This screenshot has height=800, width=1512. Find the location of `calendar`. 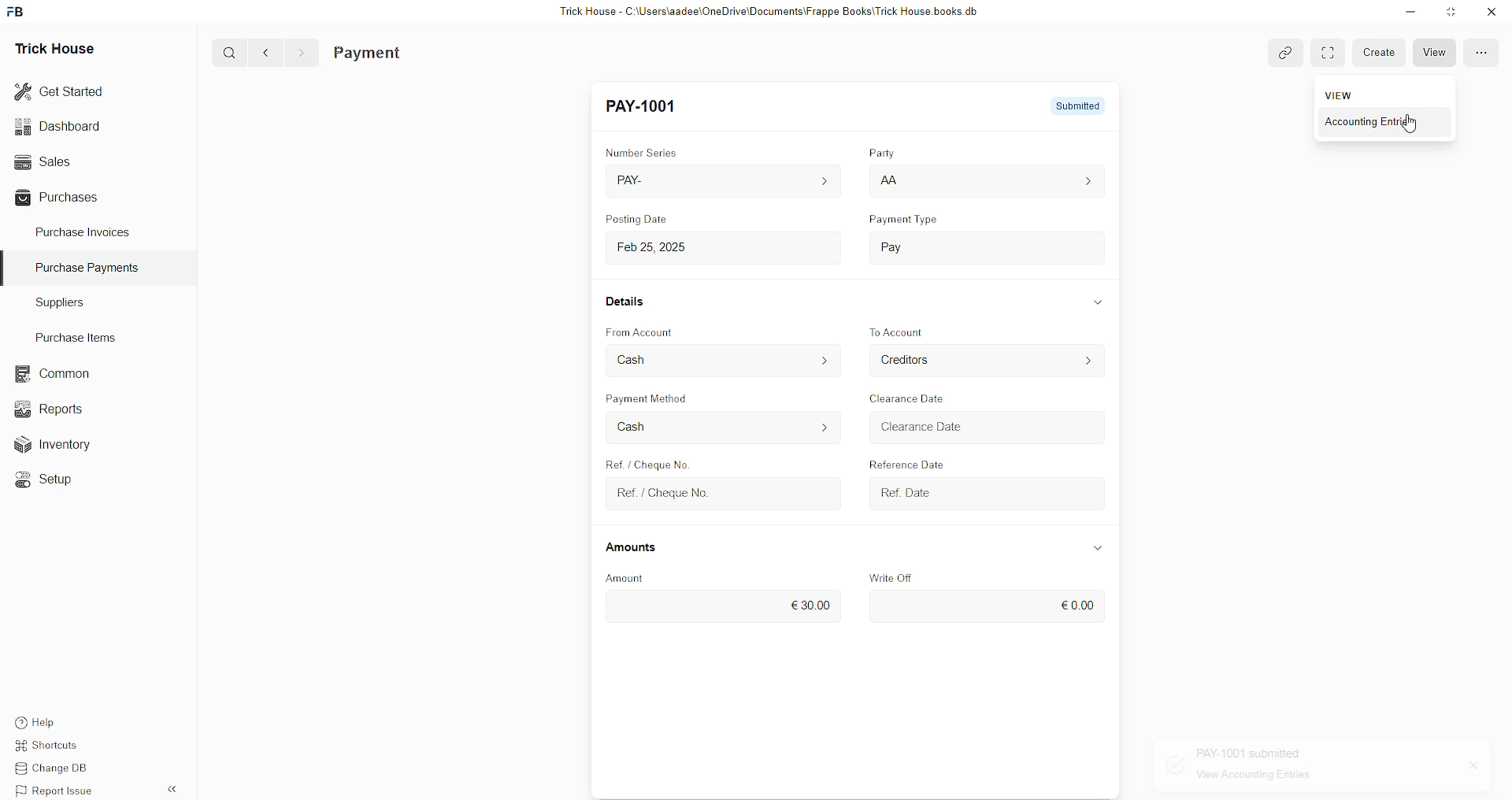

calendar is located at coordinates (821, 245).